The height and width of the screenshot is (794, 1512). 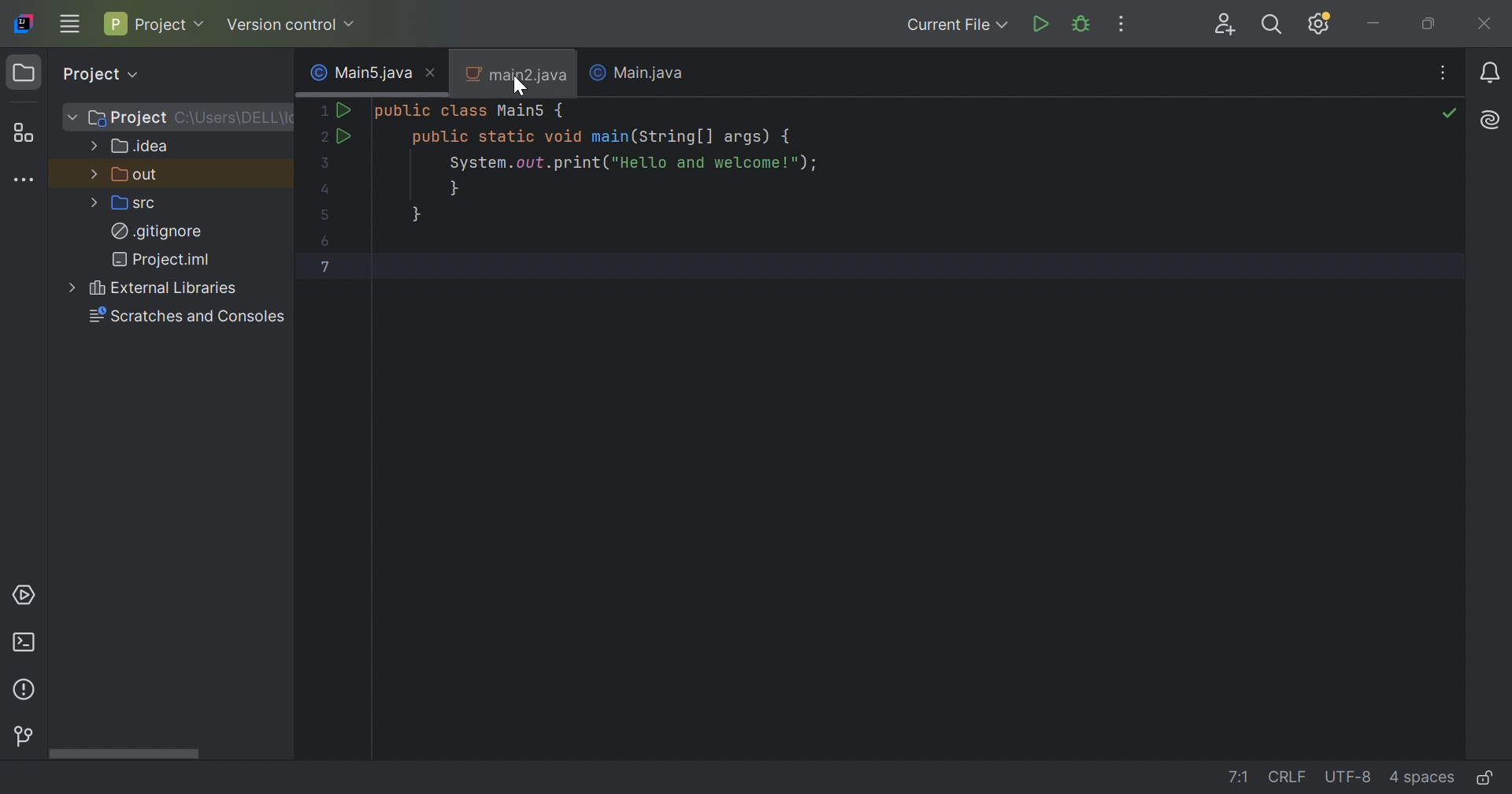 I want to click on Project, so click(x=128, y=118).